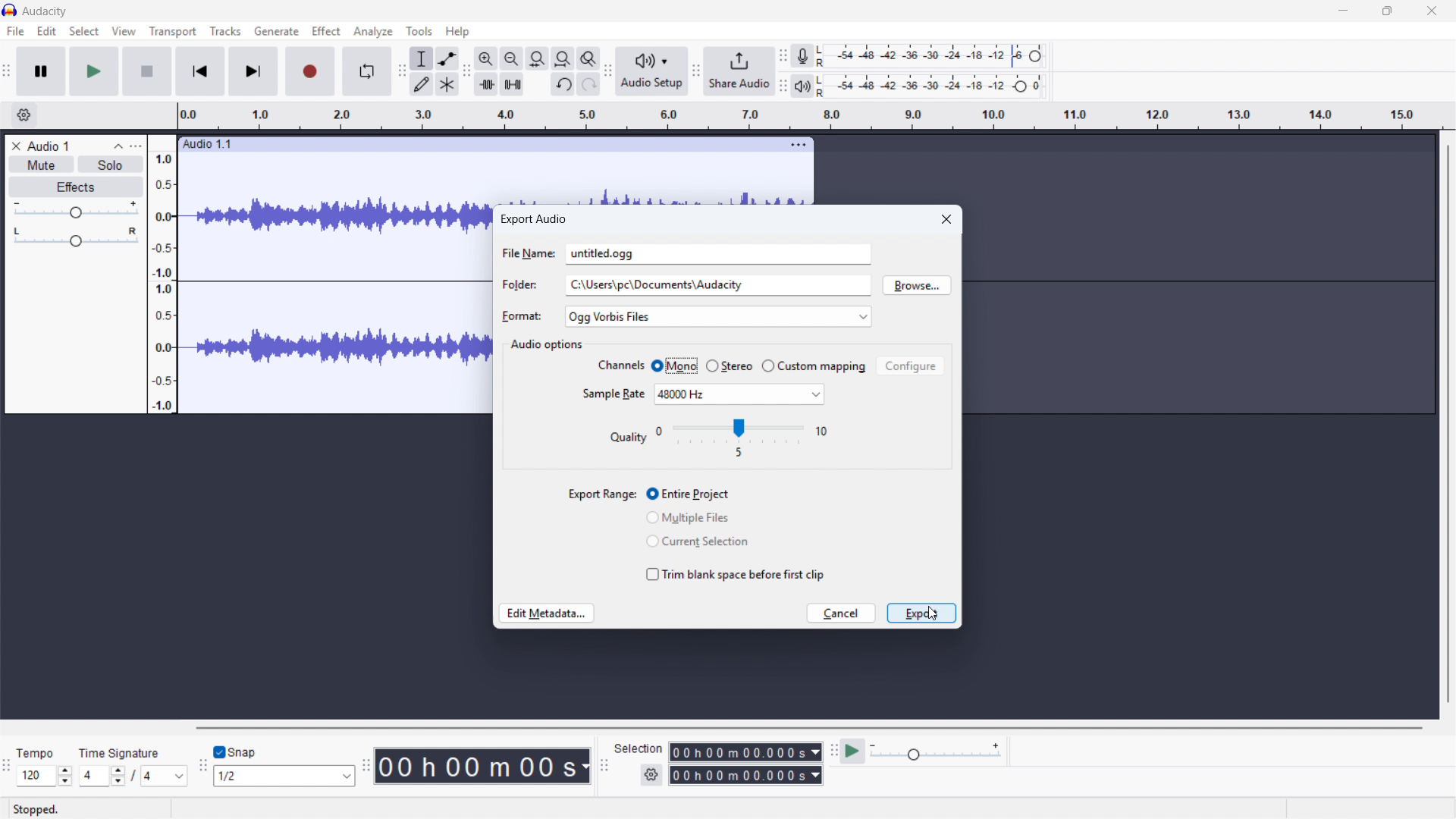  Describe the element at coordinates (7, 73) in the screenshot. I see `Transport toolbar` at that location.